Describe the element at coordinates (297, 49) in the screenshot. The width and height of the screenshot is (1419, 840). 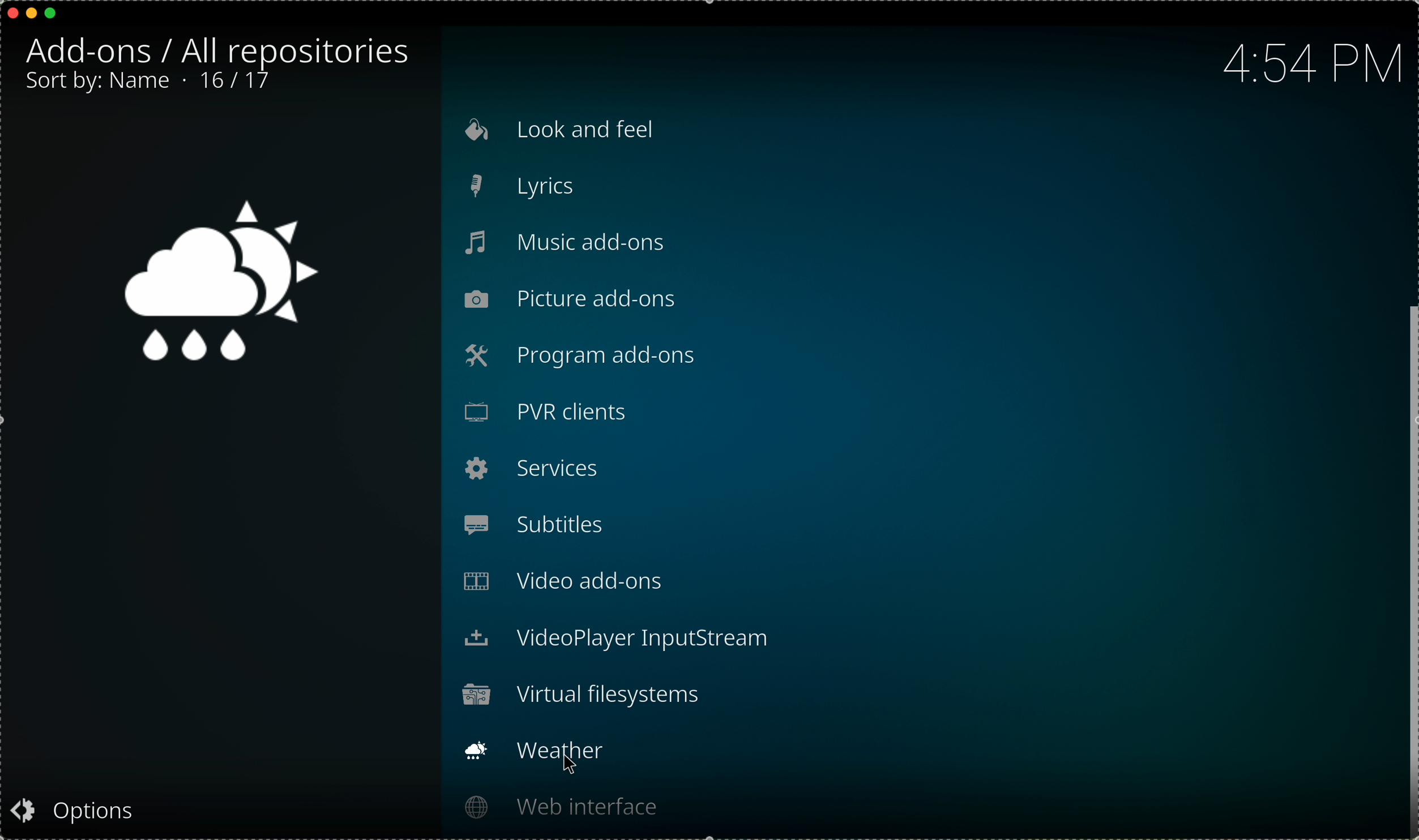
I see `all repositories` at that location.